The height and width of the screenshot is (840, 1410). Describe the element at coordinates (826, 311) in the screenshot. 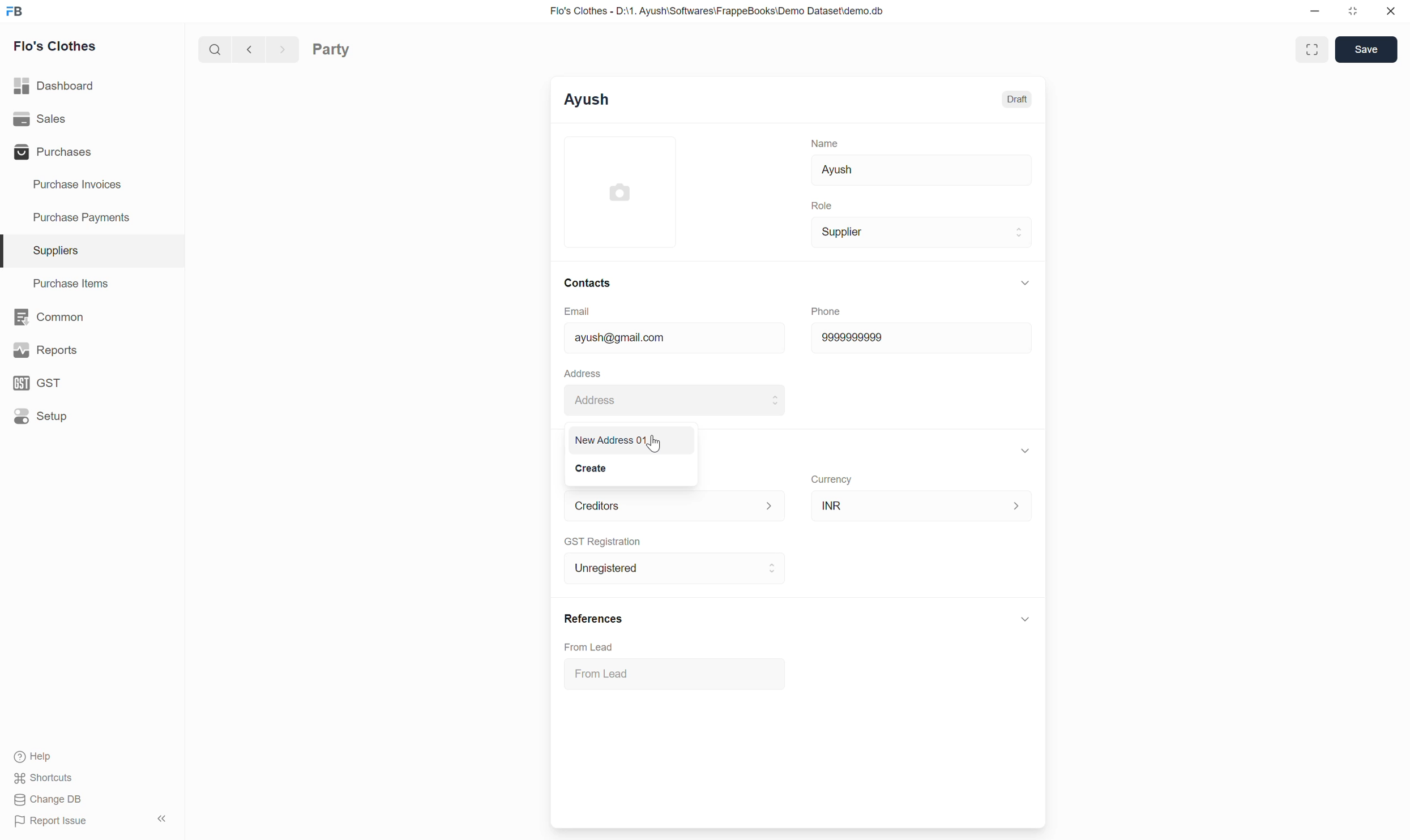

I see `Phone` at that location.